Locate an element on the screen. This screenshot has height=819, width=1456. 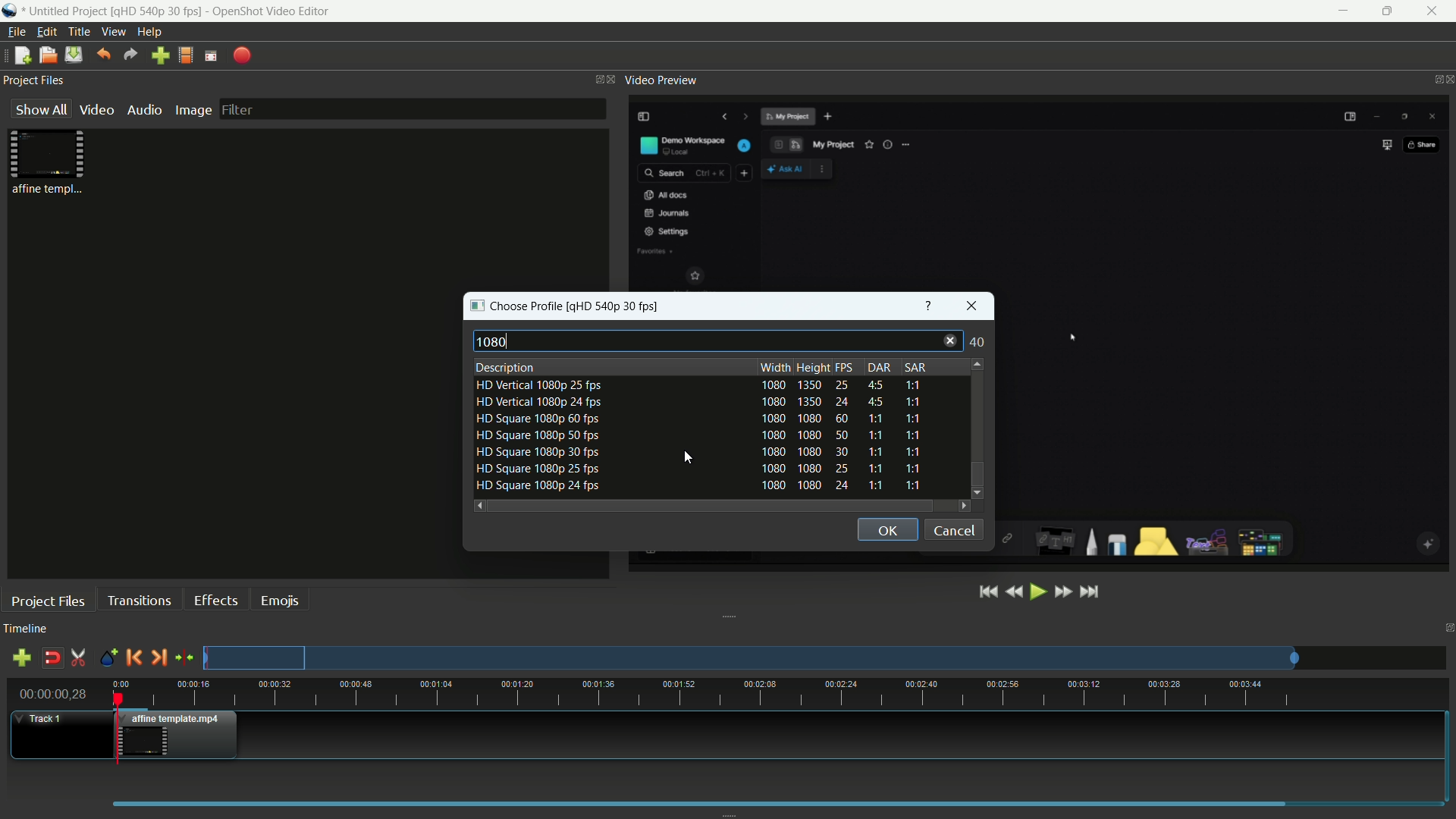
preview track is located at coordinates (750, 657).